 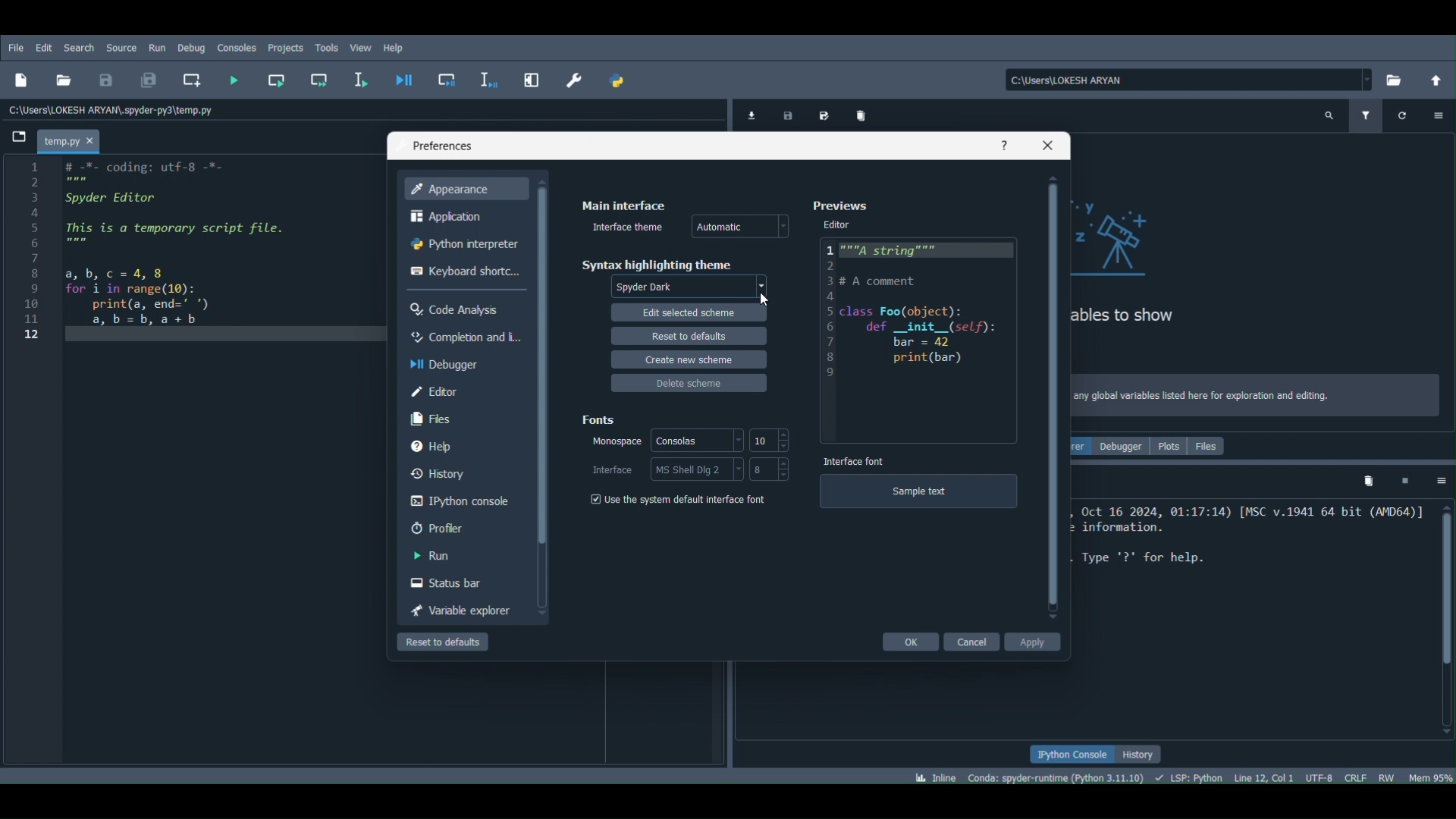 I want to click on Ok, so click(x=910, y=641).